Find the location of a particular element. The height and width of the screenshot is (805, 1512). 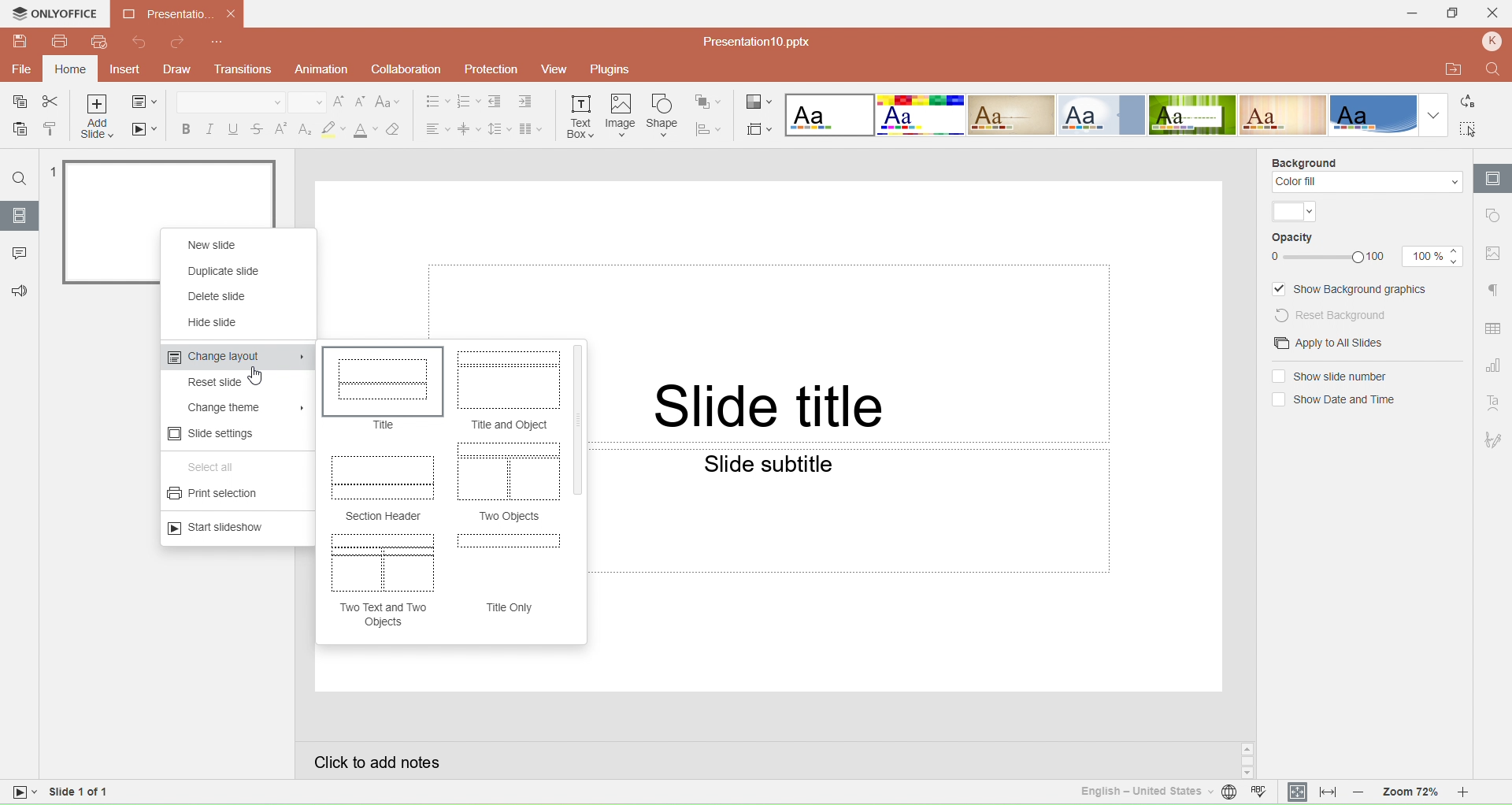

Clear style is located at coordinates (398, 128).